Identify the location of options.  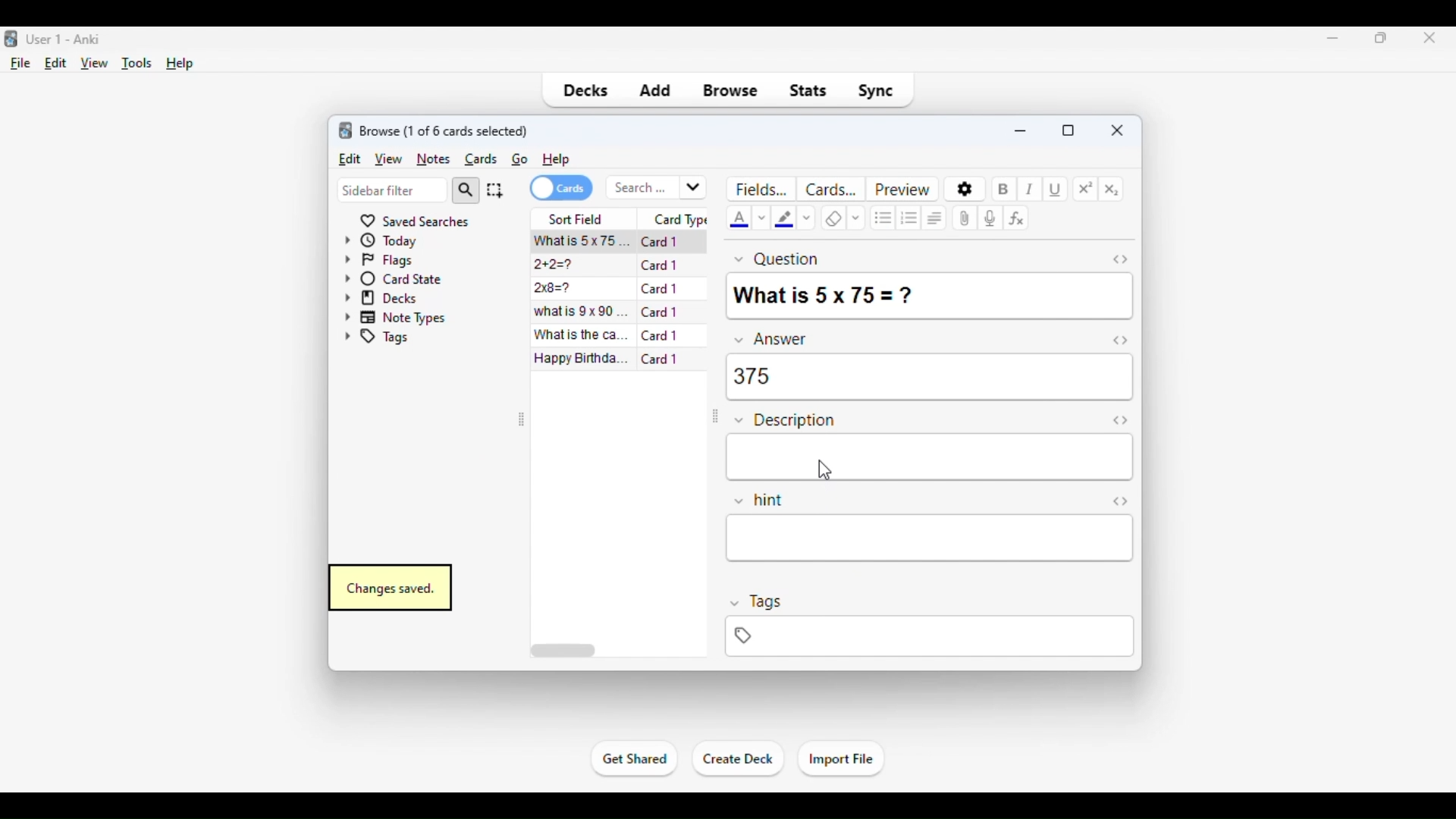
(965, 189).